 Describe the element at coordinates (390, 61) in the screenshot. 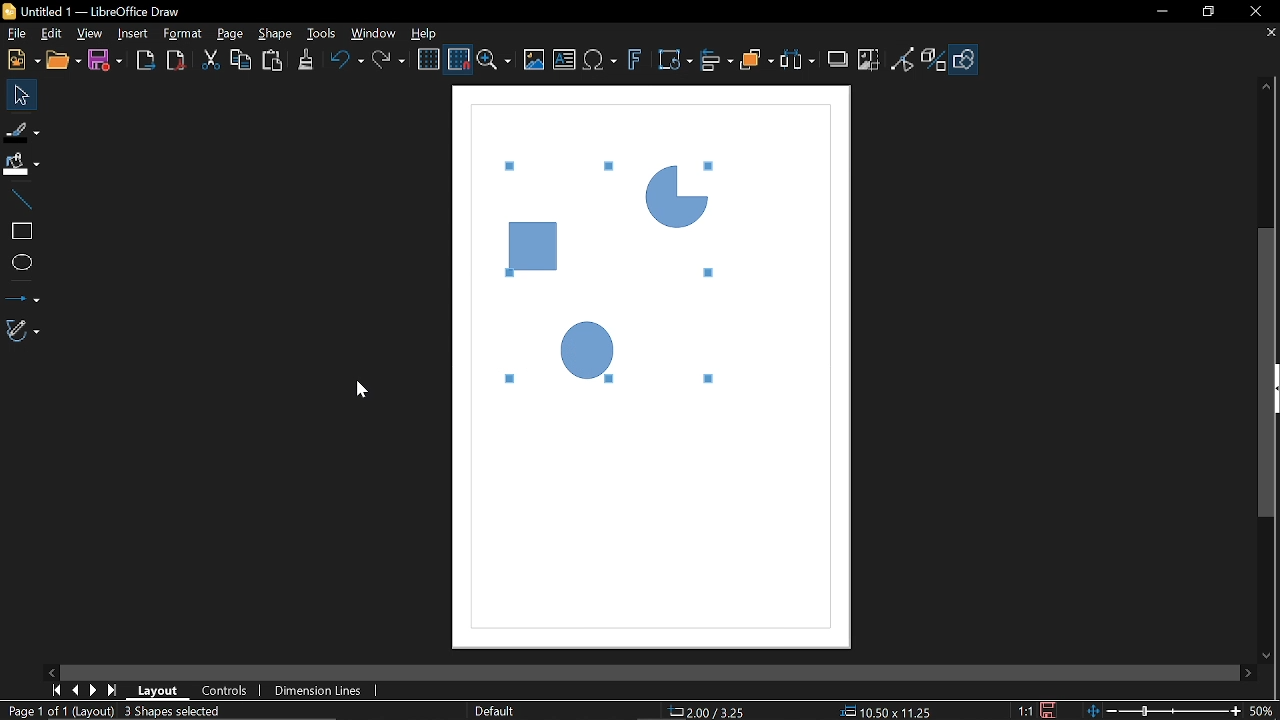

I see `Redo` at that location.